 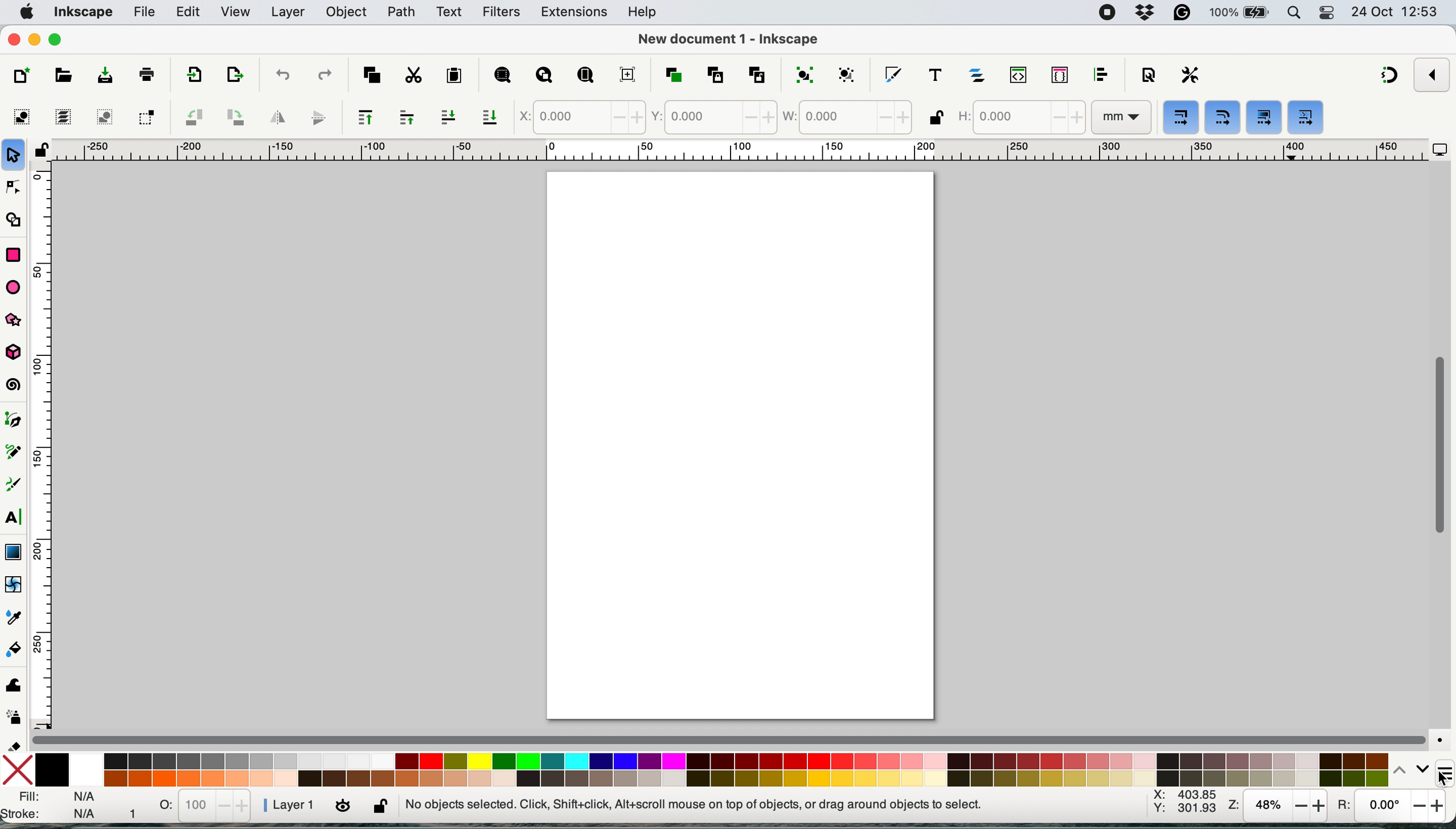 I want to click on layer 1, so click(x=288, y=805).